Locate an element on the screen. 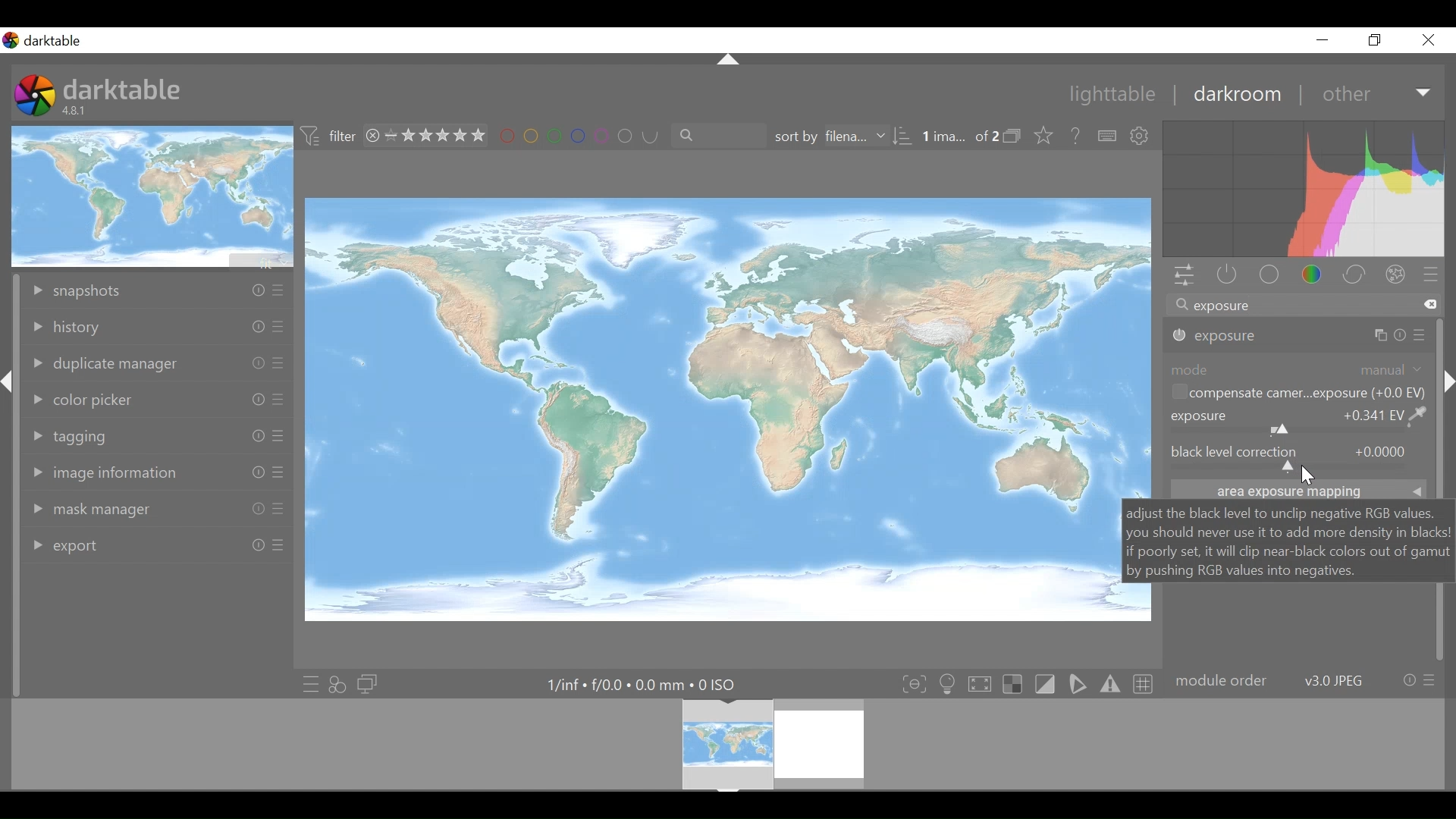 The height and width of the screenshot is (819, 1456). darktable desktop icon is located at coordinates (35, 96).